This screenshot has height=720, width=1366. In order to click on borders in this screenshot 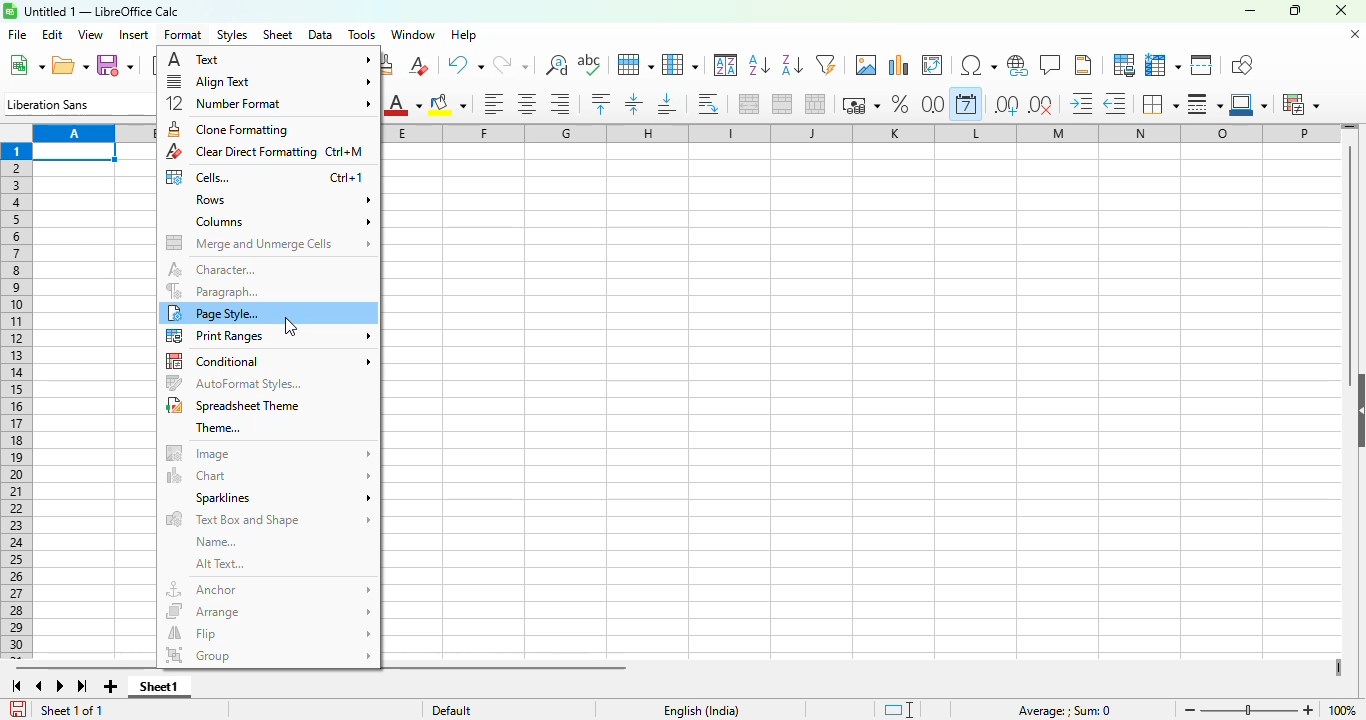, I will do `click(1159, 104)`.